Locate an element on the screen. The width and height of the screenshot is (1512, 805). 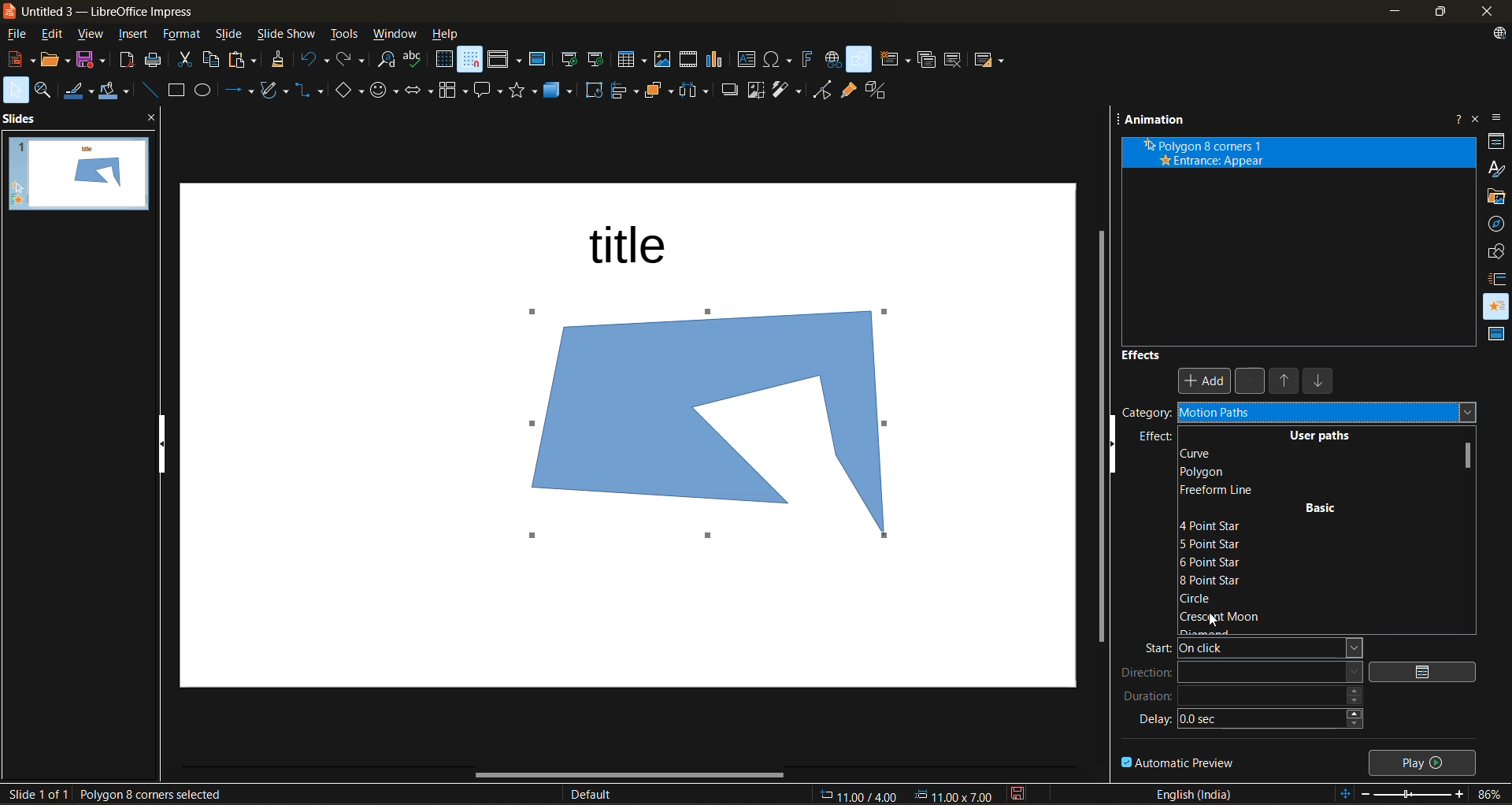
find and replace is located at coordinates (386, 61).